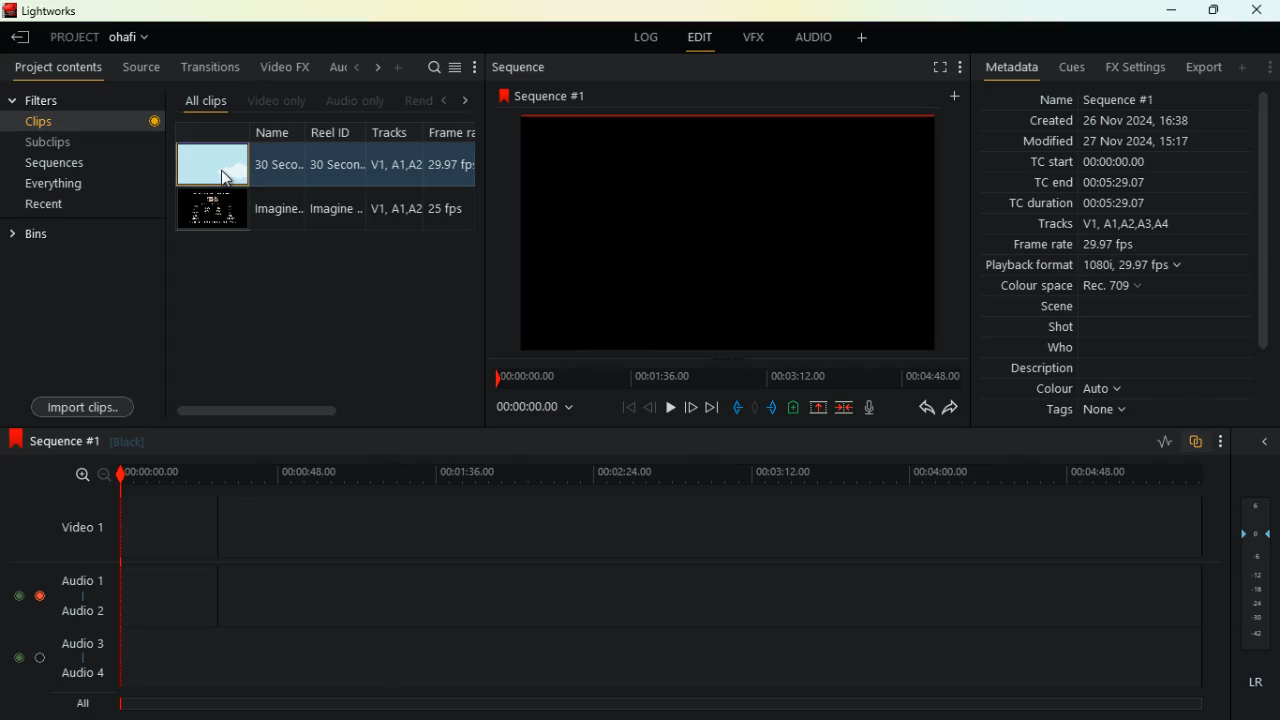  I want to click on button, so click(155, 123).